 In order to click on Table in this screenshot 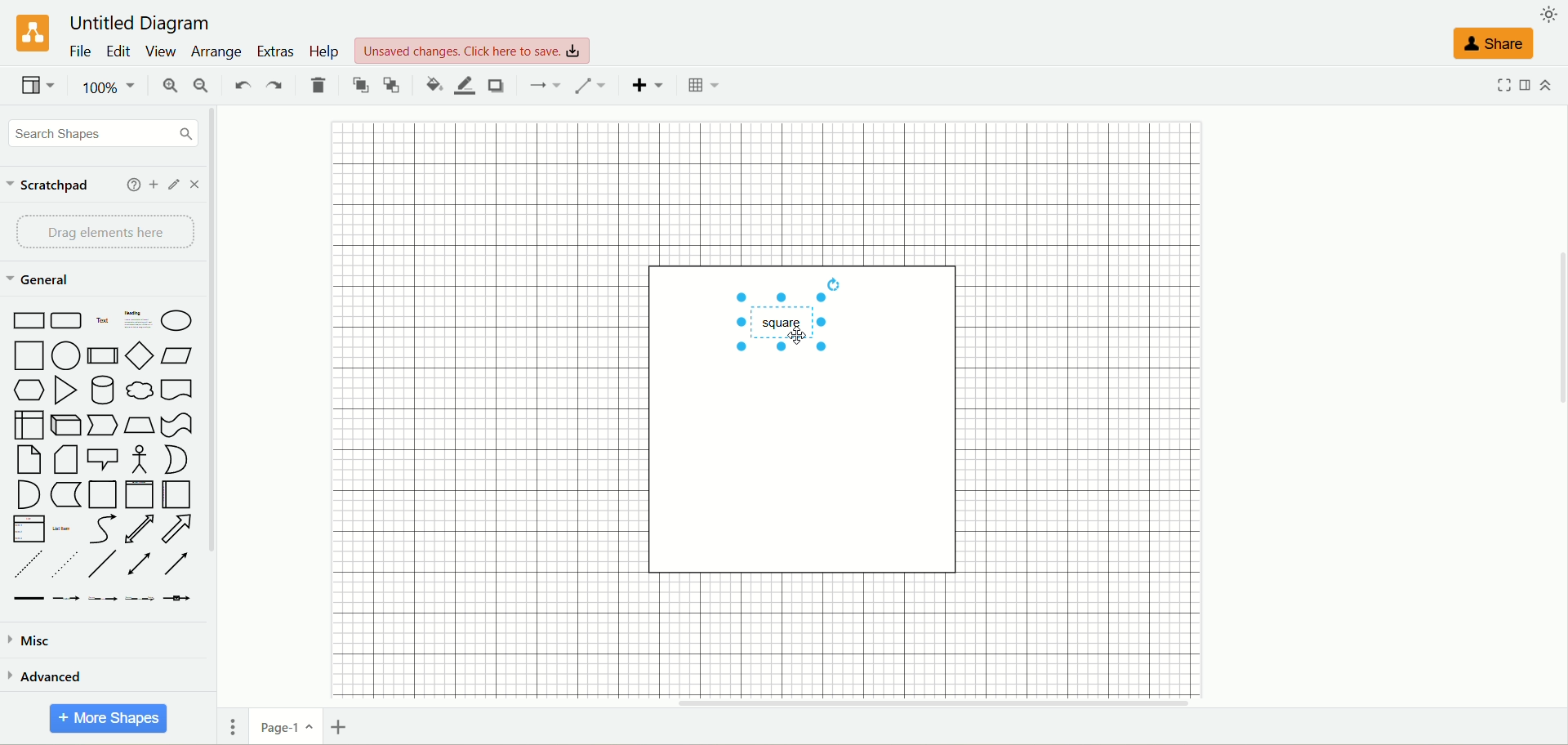, I will do `click(703, 85)`.